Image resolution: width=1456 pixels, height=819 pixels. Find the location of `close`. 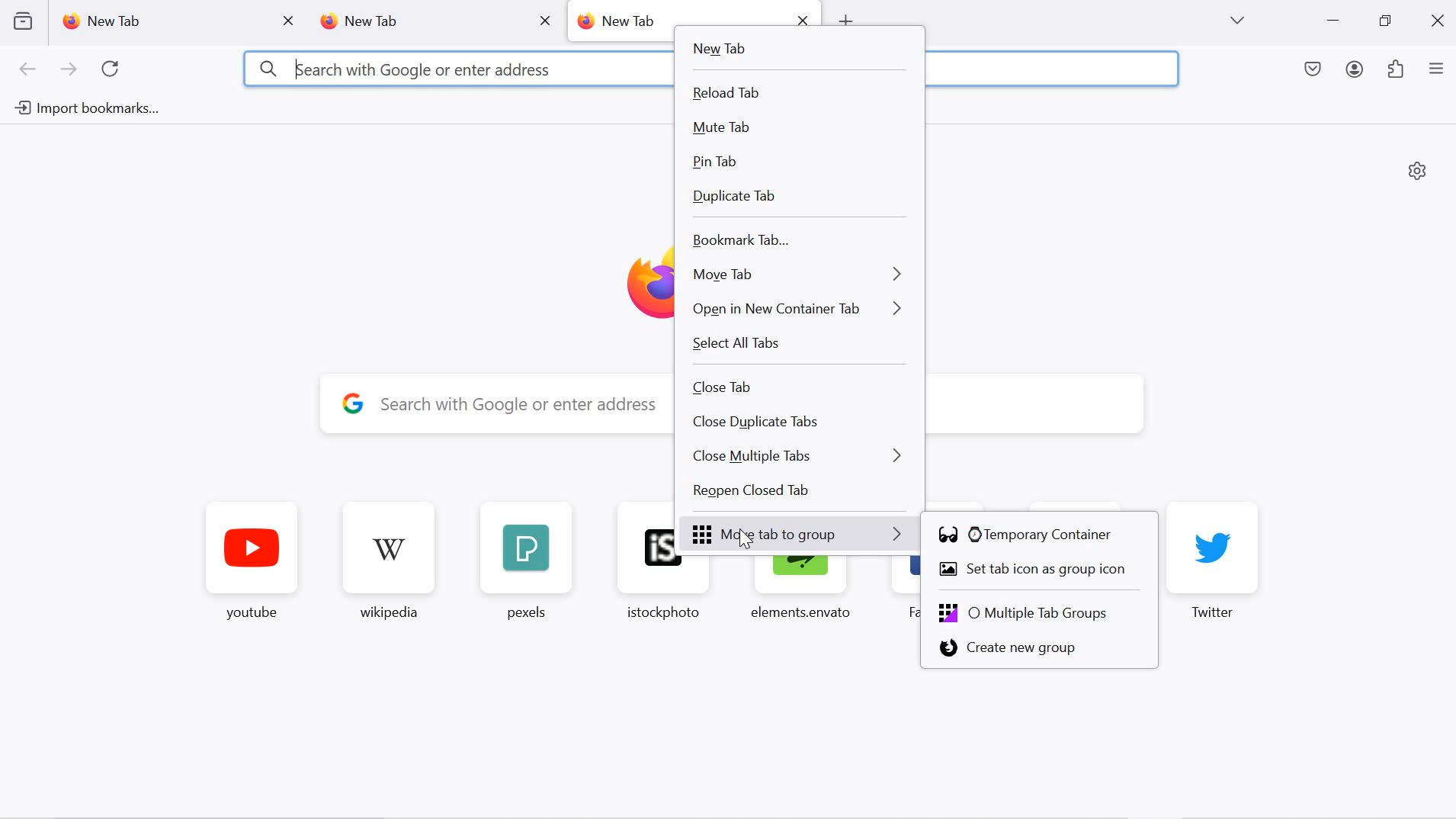

close is located at coordinates (803, 17).